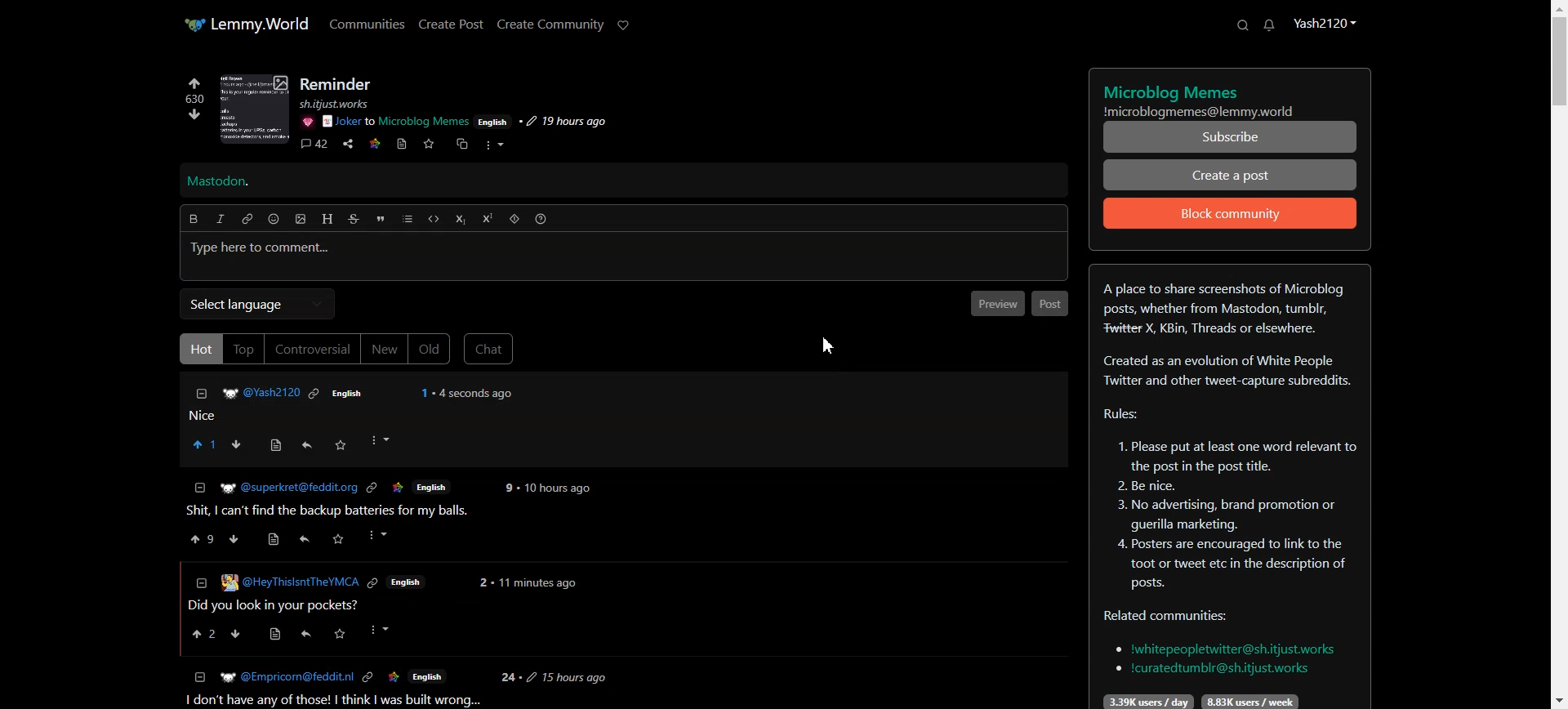  I want to click on Upvote, so click(203, 444).